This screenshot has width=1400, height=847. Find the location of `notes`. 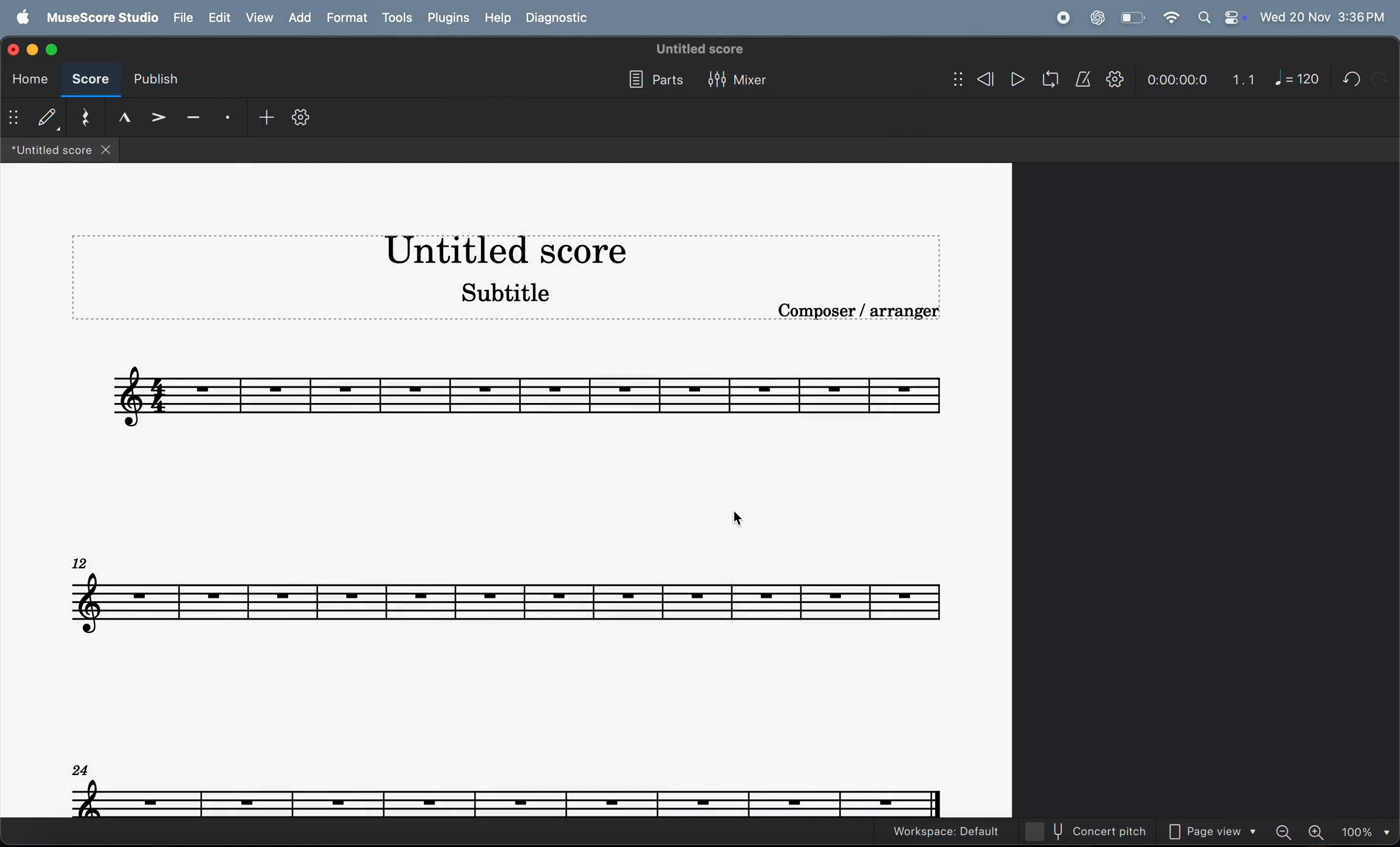

notes is located at coordinates (531, 392).